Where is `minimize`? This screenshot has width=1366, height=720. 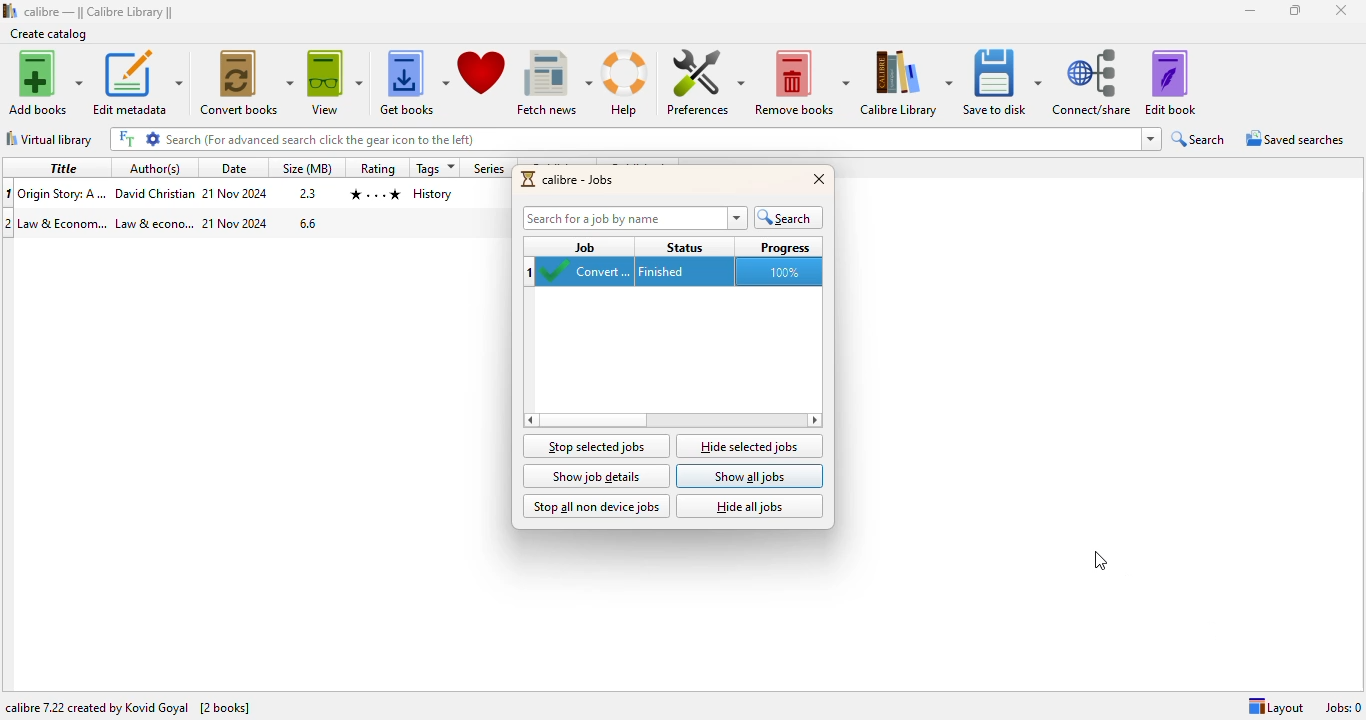 minimize is located at coordinates (1251, 11).